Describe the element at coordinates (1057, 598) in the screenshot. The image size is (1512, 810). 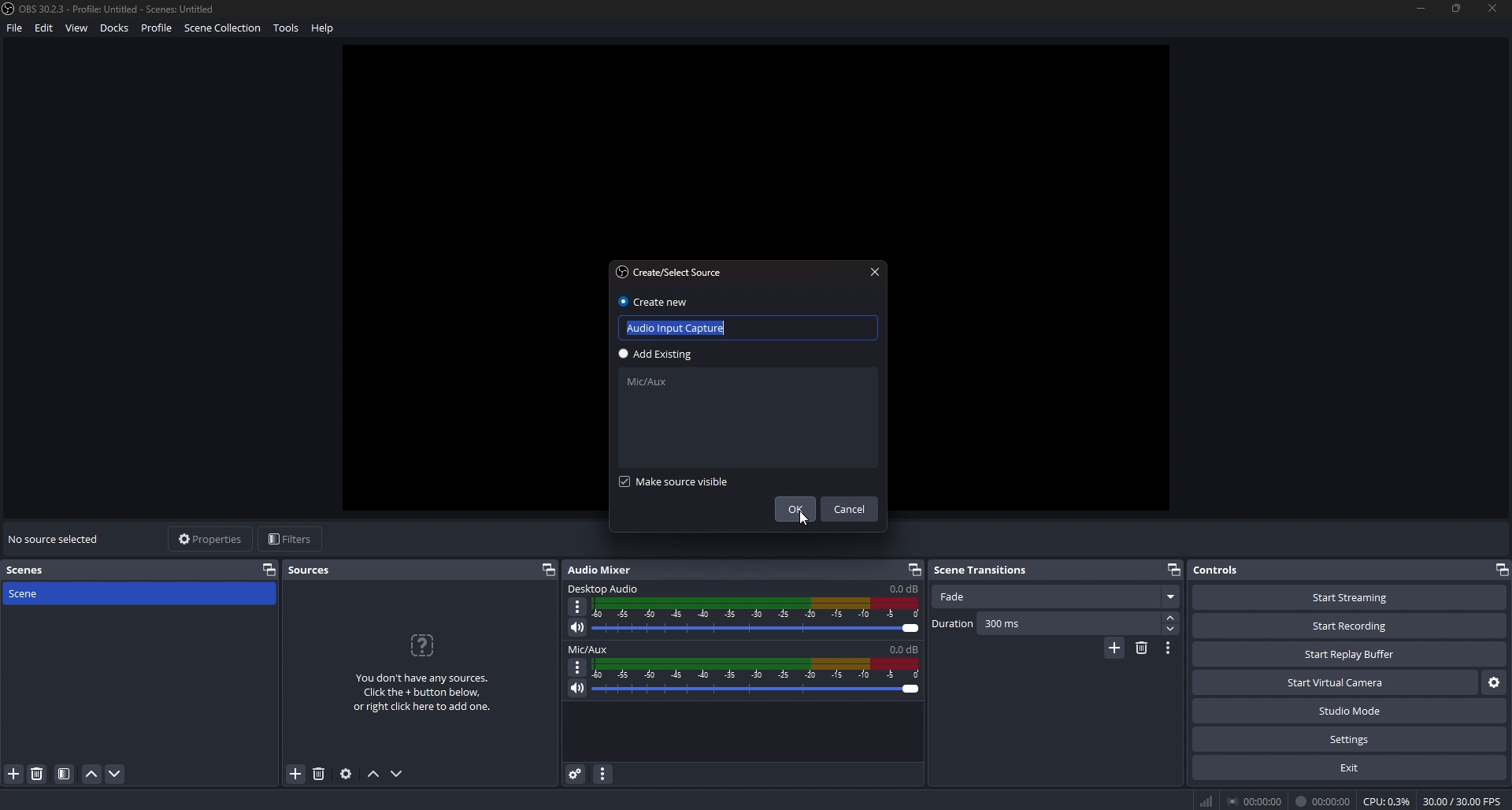
I see `fade` at that location.